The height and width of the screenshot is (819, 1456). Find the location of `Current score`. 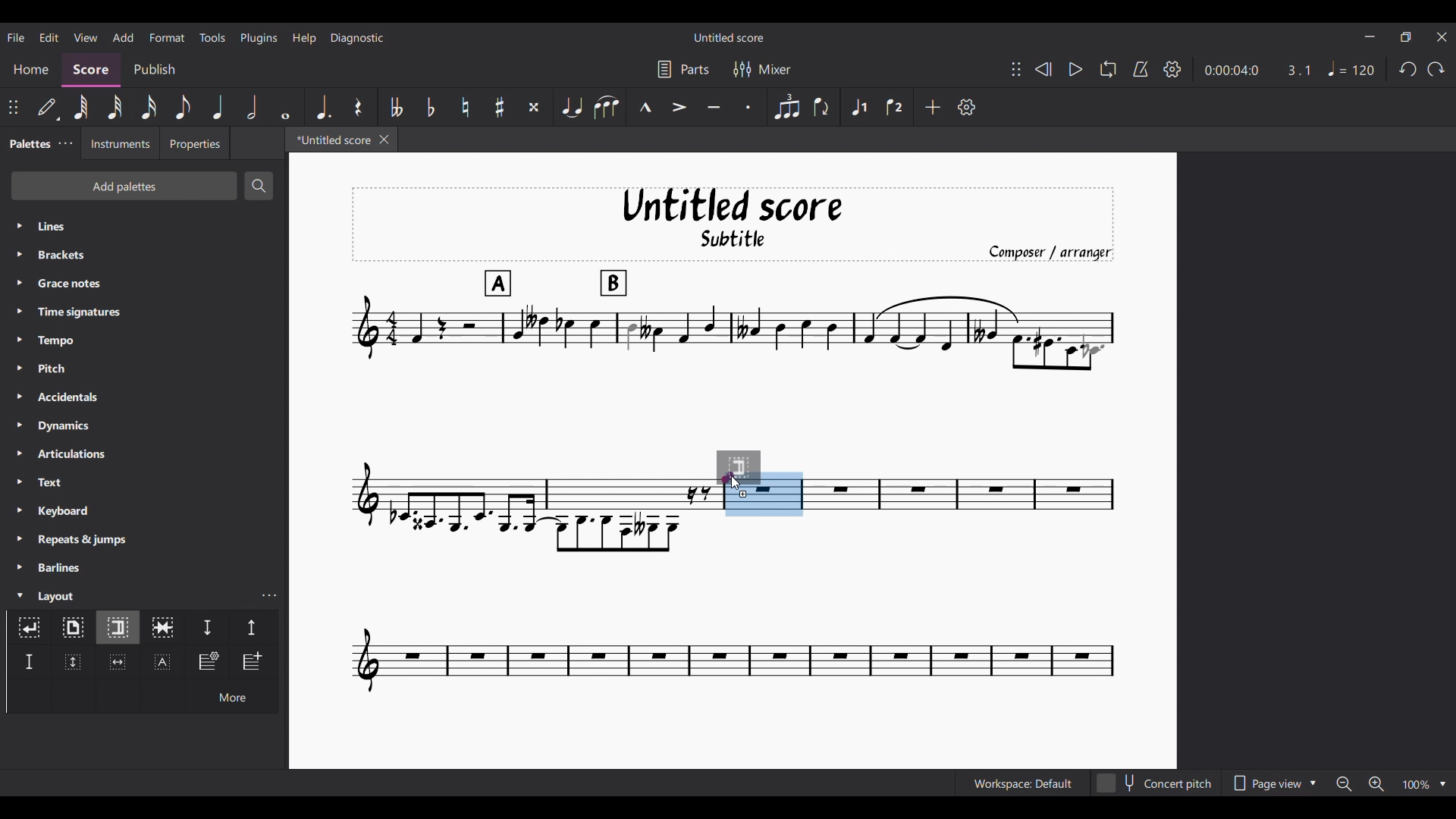

Current score is located at coordinates (961, 483).